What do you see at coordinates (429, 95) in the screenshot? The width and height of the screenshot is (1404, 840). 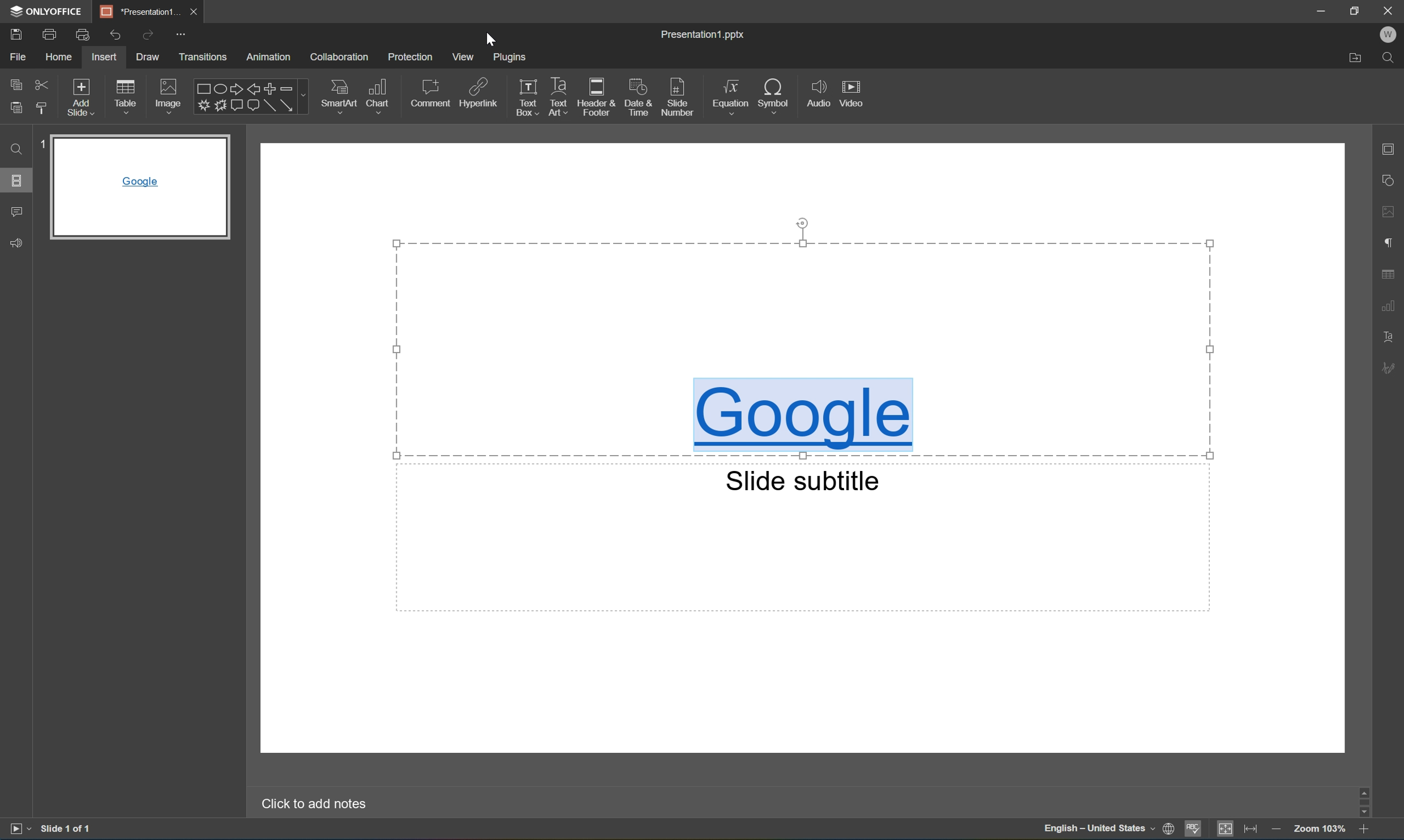 I see `Comment` at bounding box center [429, 95].